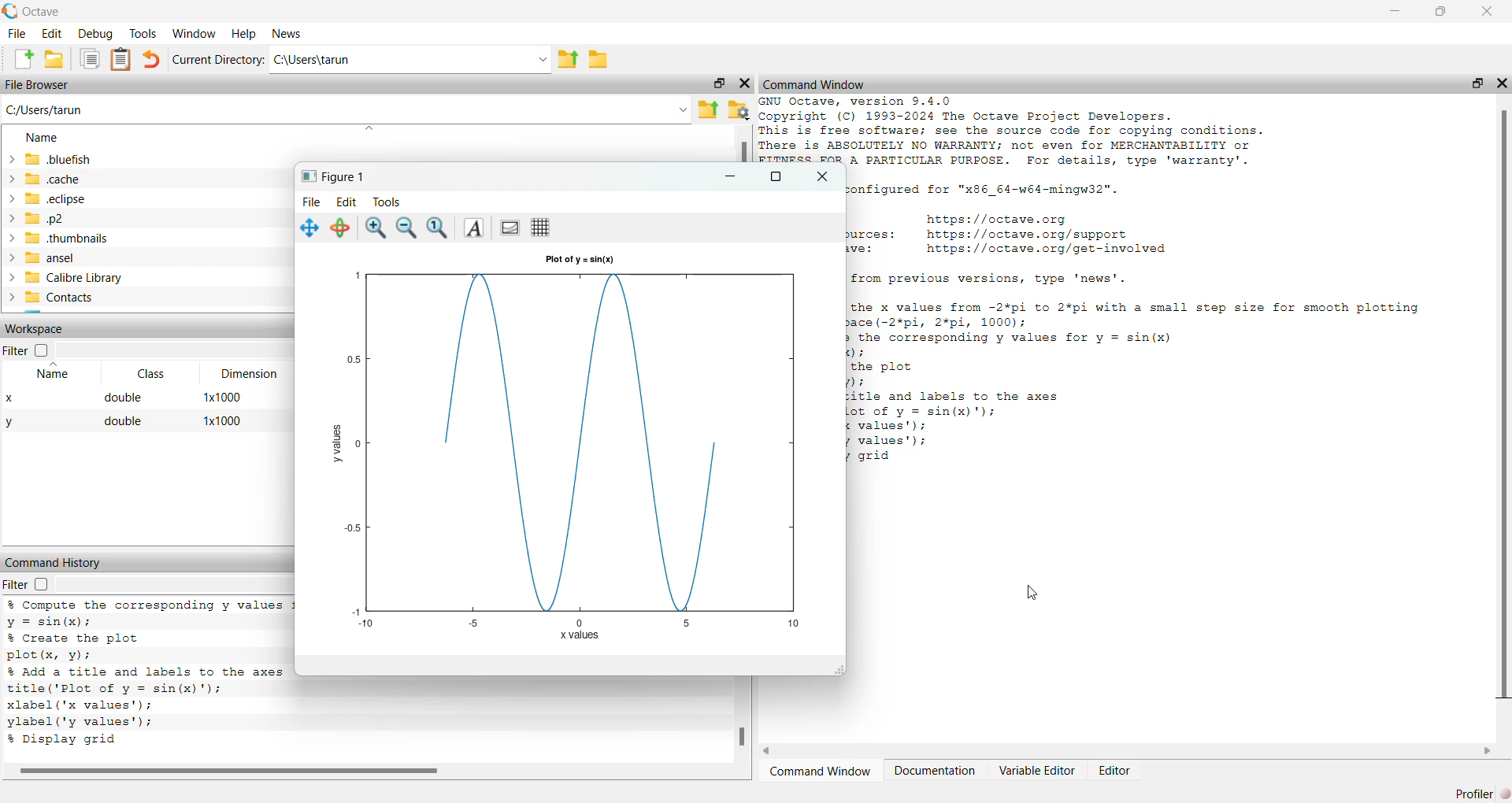 The width and height of the screenshot is (1512, 803). What do you see at coordinates (775, 176) in the screenshot?
I see `resize` at bounding box center [775, 176].